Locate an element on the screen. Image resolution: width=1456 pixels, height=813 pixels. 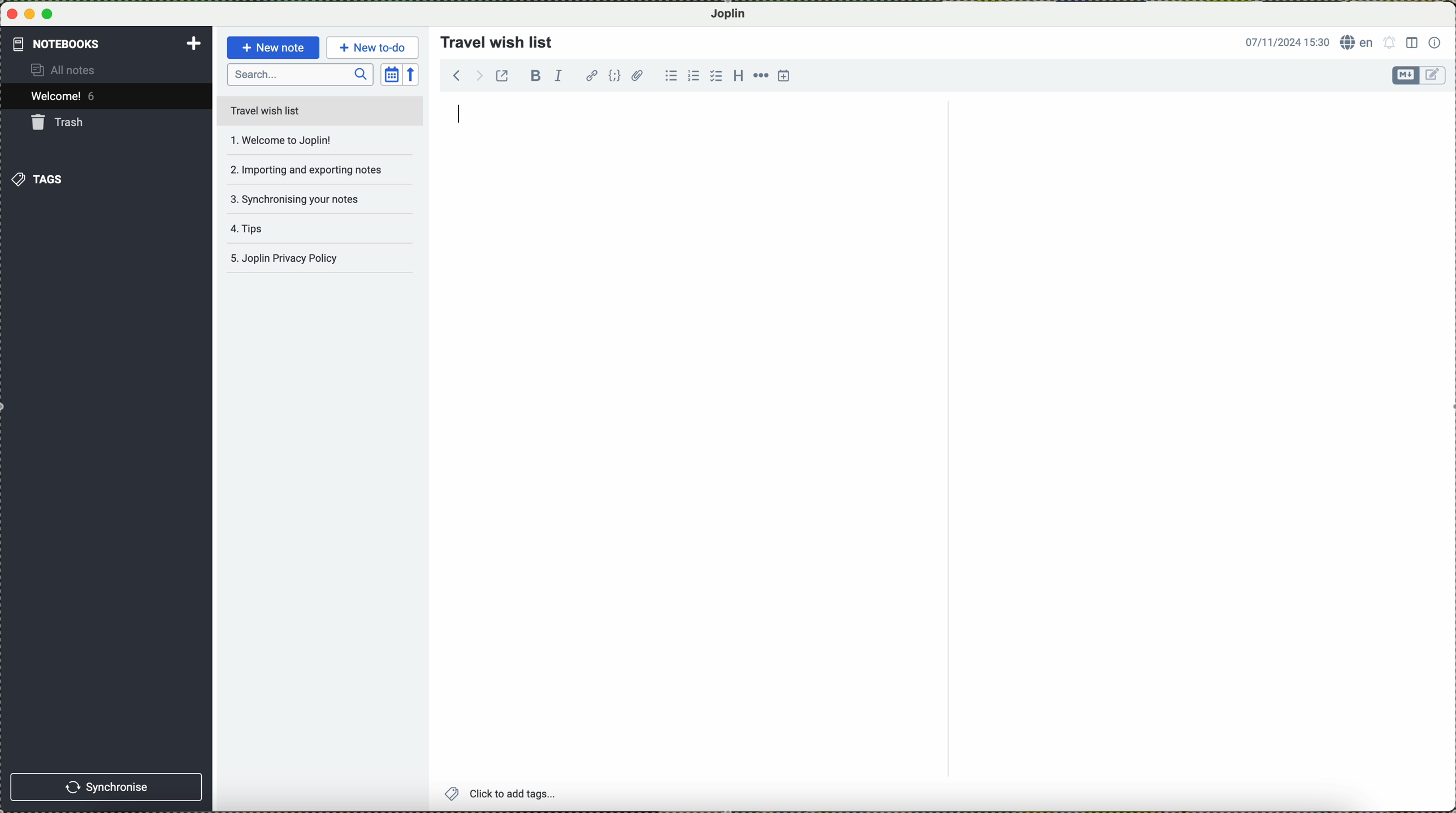
typing is located at coordinates (460, 116).